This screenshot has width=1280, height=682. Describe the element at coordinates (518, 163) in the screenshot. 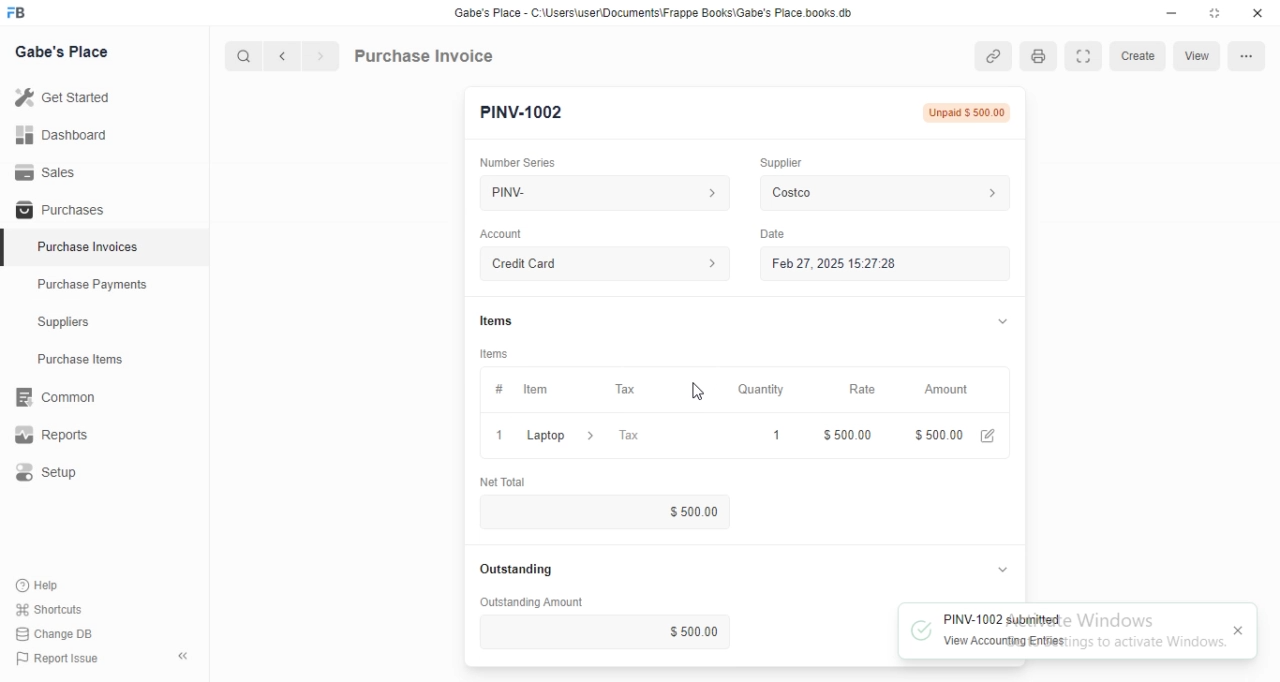

I see `Number Series` at that location.